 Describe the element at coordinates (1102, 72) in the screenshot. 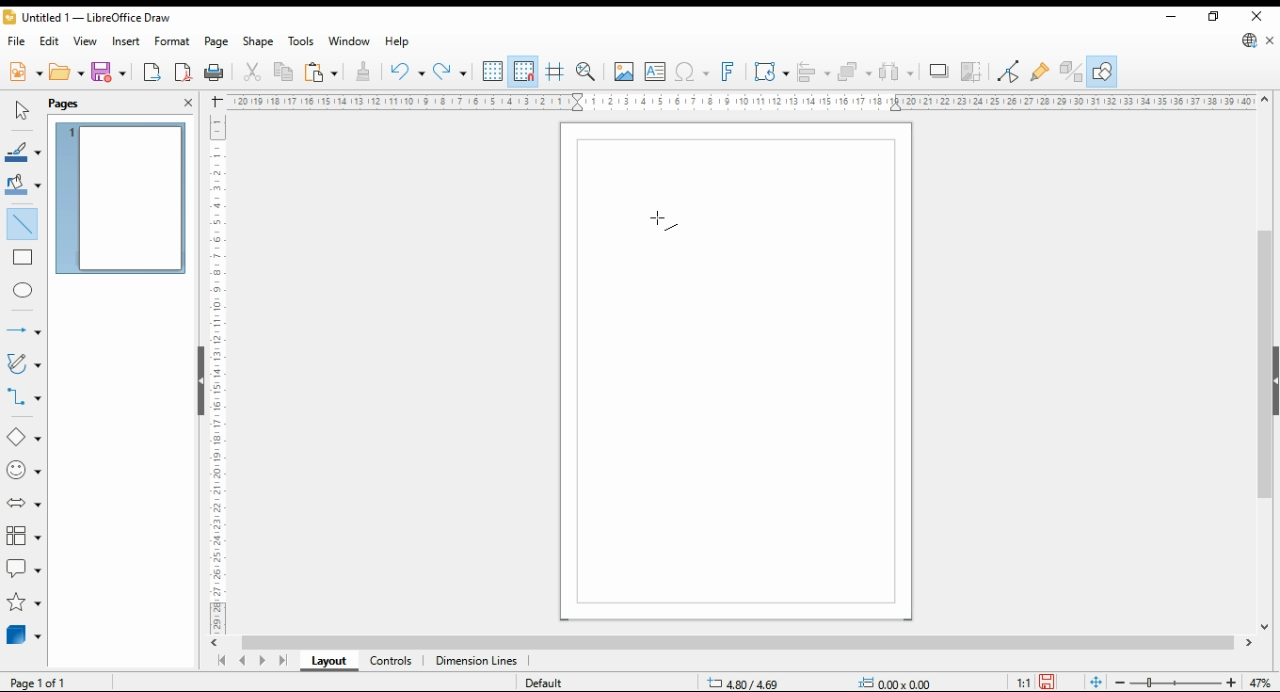

I see `show draw functions` at that location.